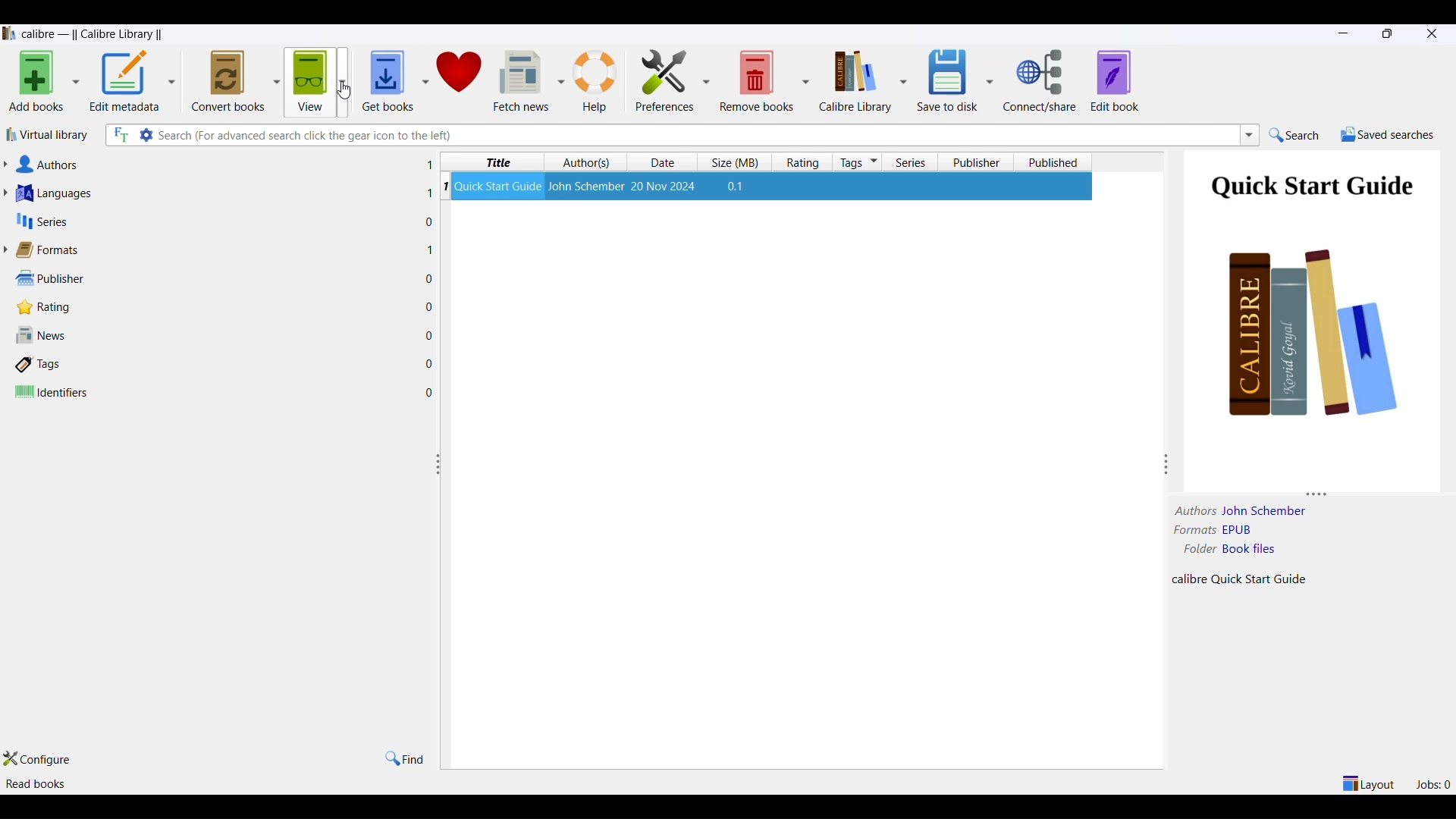  What do you see at coordinates (808, 83) in the screenshot?
I see `remove books options dropdown button` at bounding box center [808, 83].